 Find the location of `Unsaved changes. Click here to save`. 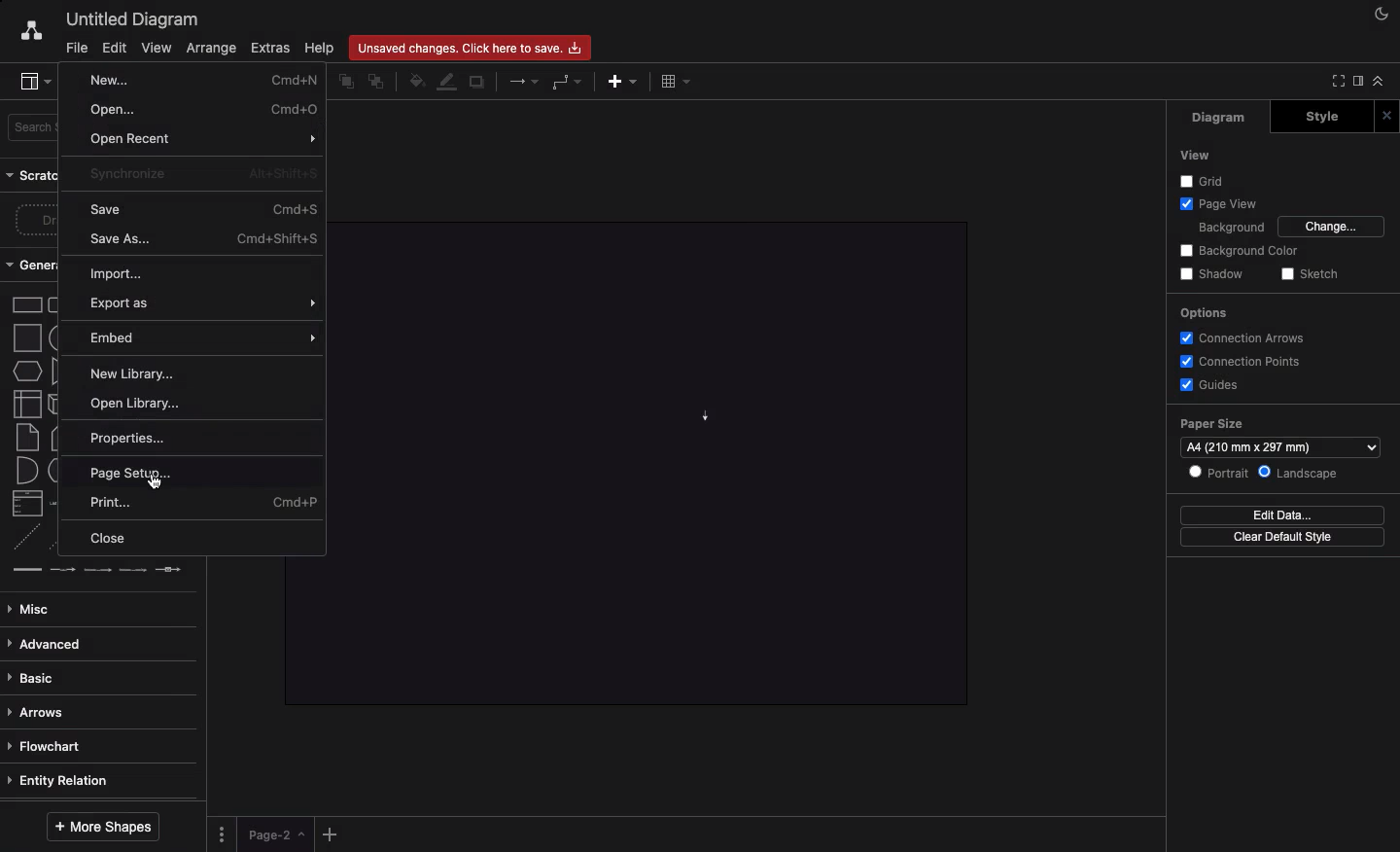

Unsaved changes. Click here to save is located at coordinates (472, 47).